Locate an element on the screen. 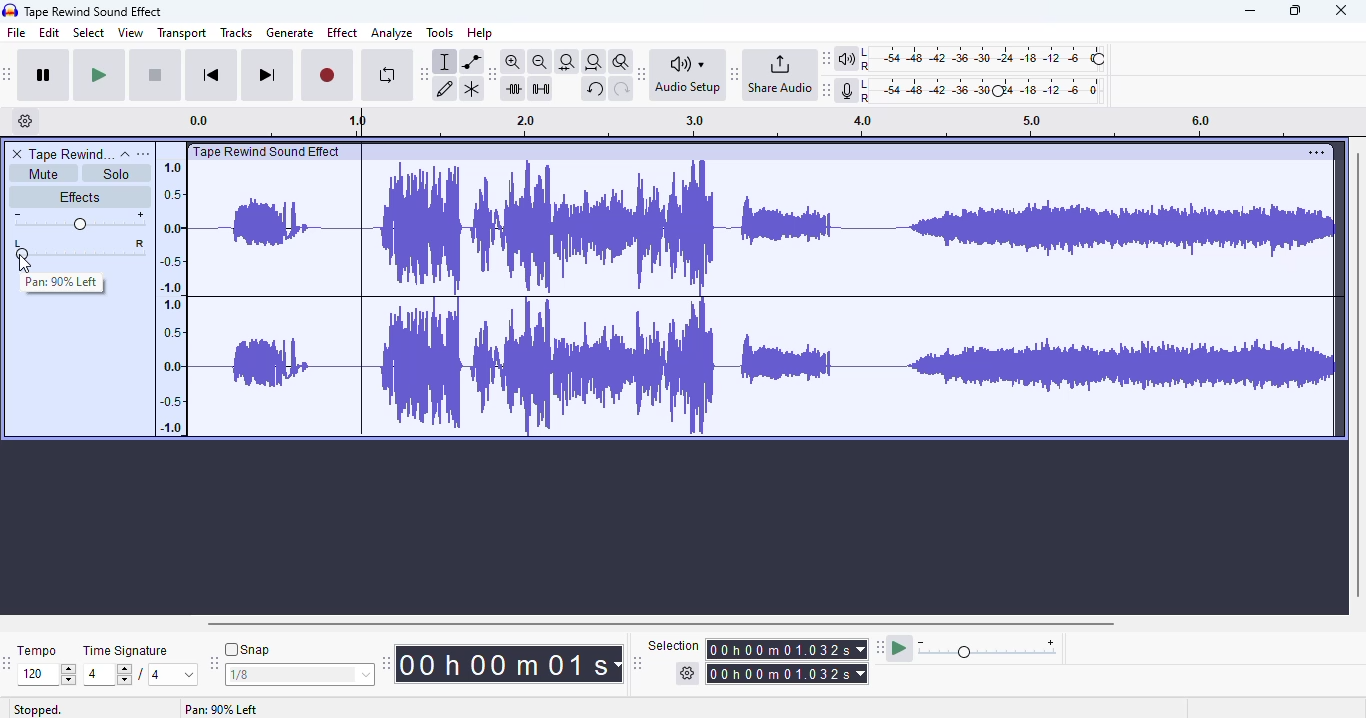  share audio is located at coordinates (779, 73).